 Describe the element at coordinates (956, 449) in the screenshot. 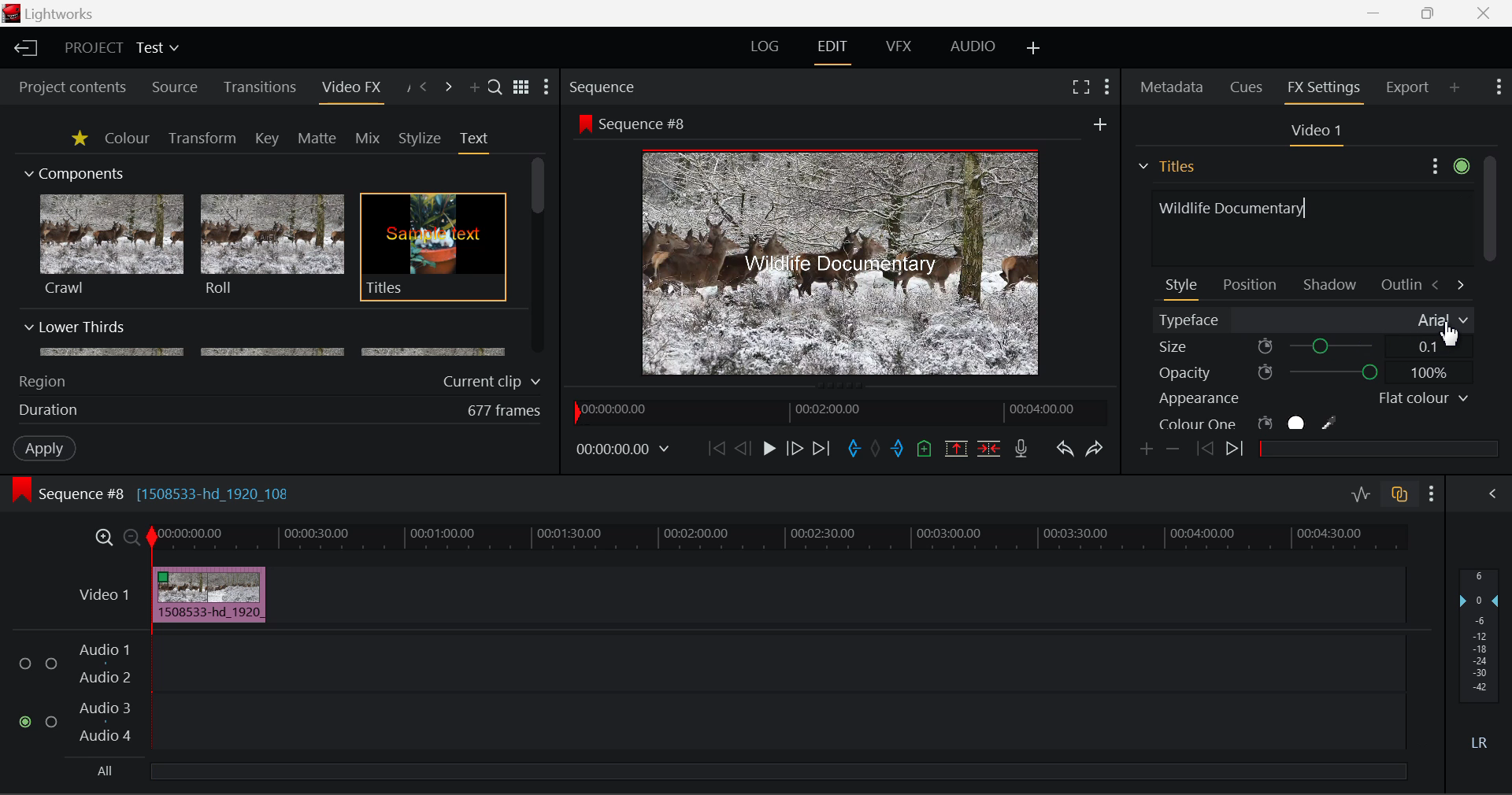

I see `Remove Marked Section` at that location.